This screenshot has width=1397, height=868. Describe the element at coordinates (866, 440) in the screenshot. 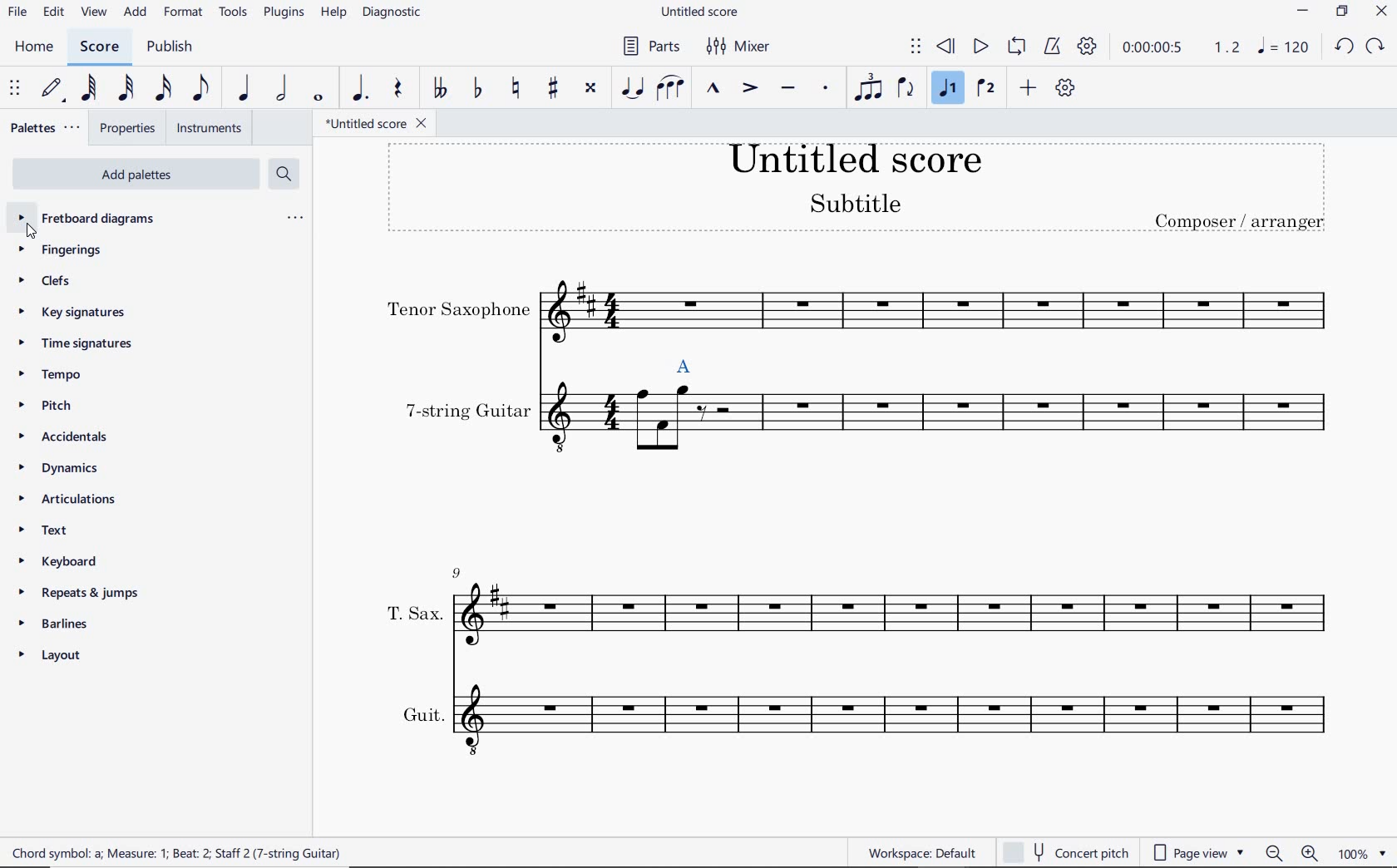

I see `INSTRUMENT: 7-STRING GUITAR` at that location.